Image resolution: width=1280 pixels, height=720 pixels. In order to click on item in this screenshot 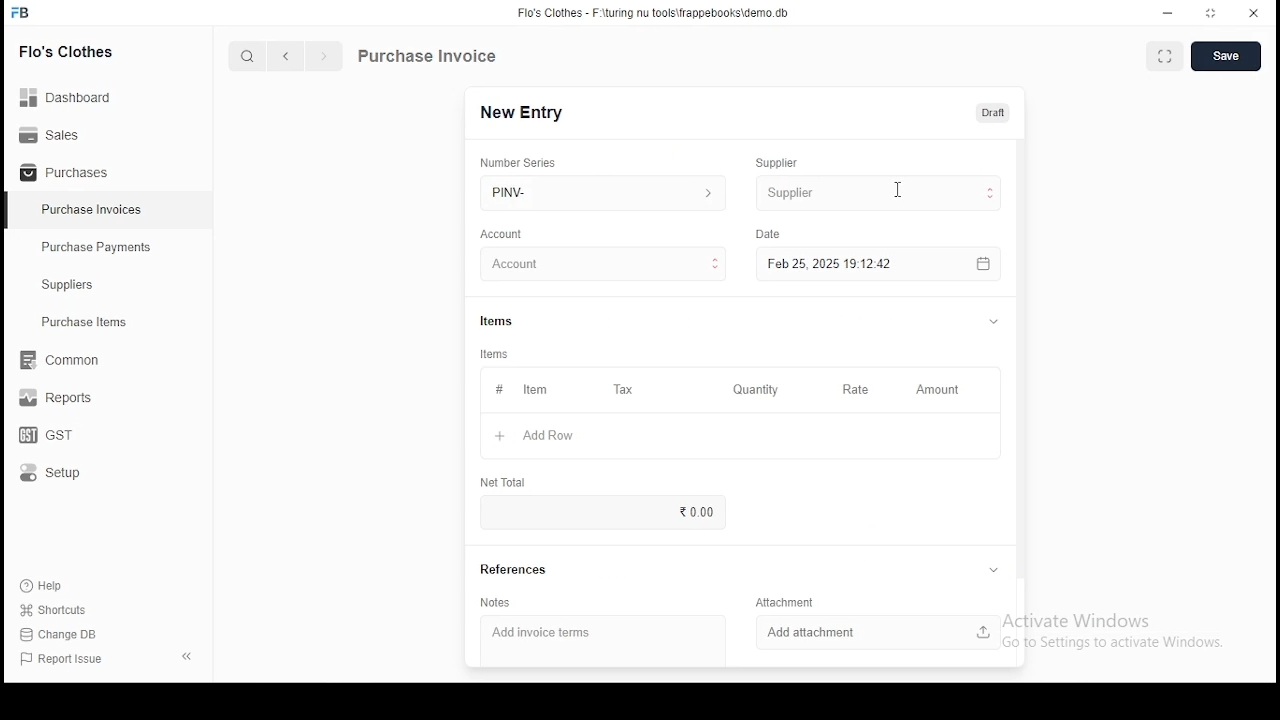, I will do `click(534, 391)`.